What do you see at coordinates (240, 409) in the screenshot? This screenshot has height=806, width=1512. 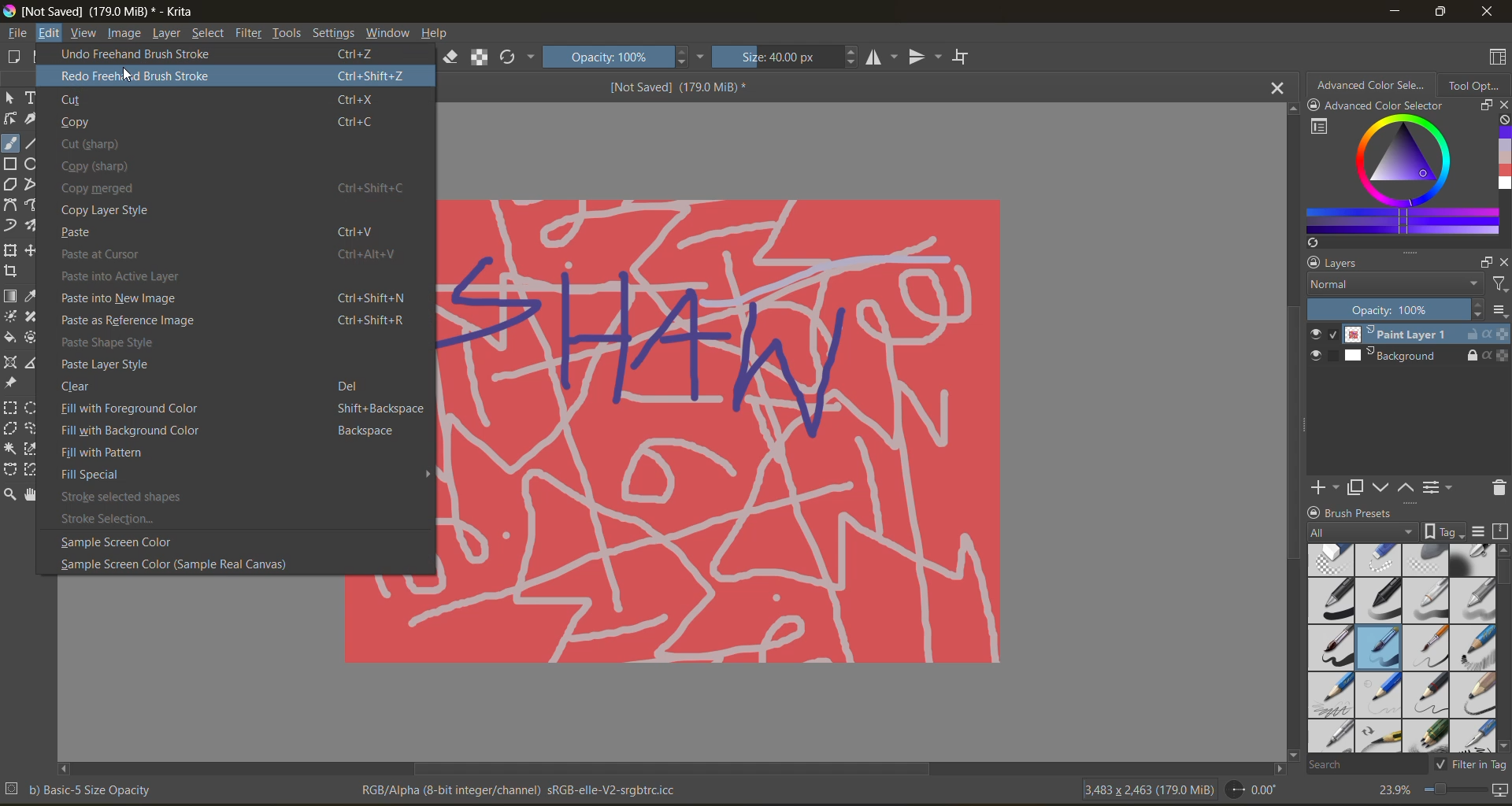 I see `fill with foreground color    Shift+Backspace` at bounding box center [240, 409].